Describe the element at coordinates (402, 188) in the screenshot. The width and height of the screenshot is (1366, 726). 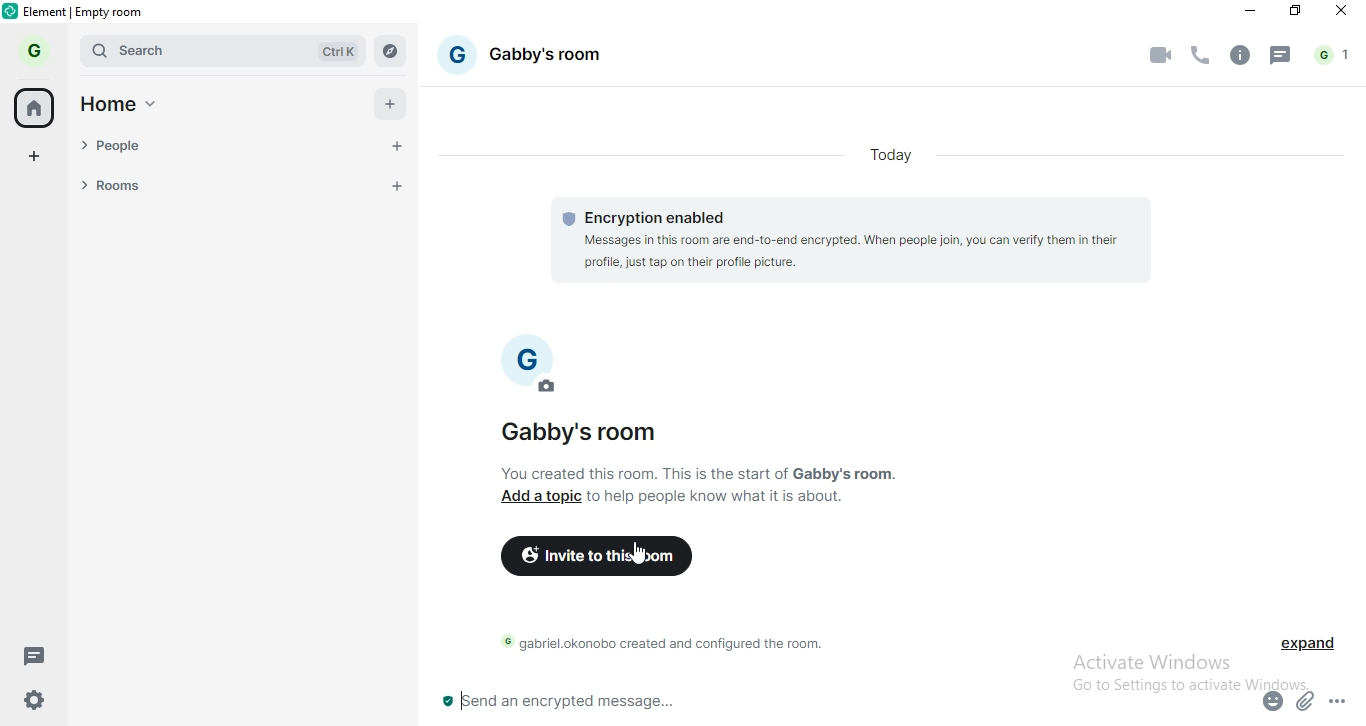
I see `add room` at that location.